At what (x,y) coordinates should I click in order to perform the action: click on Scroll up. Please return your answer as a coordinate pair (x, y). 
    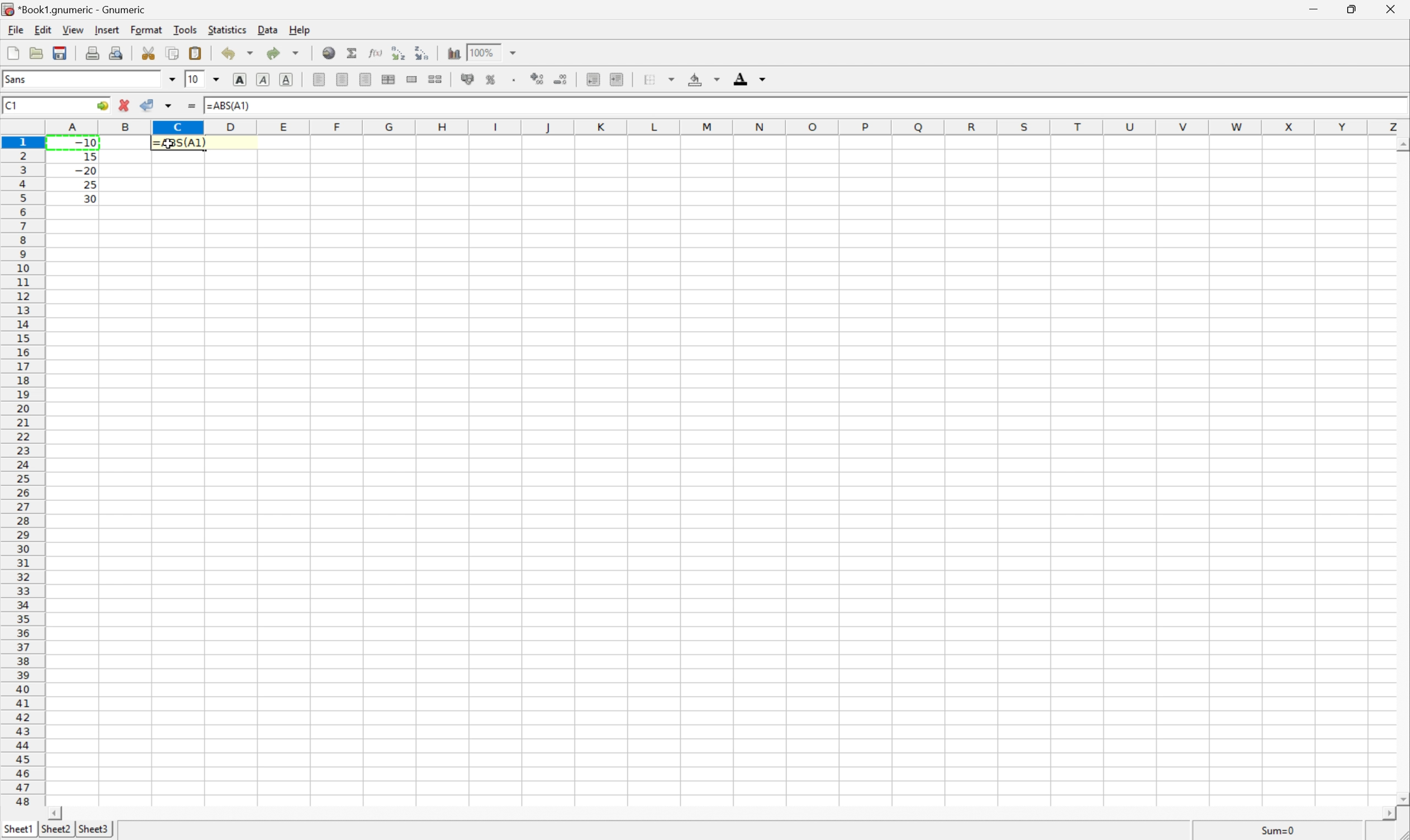
    Looking at the image, I should click on (1401, 144).